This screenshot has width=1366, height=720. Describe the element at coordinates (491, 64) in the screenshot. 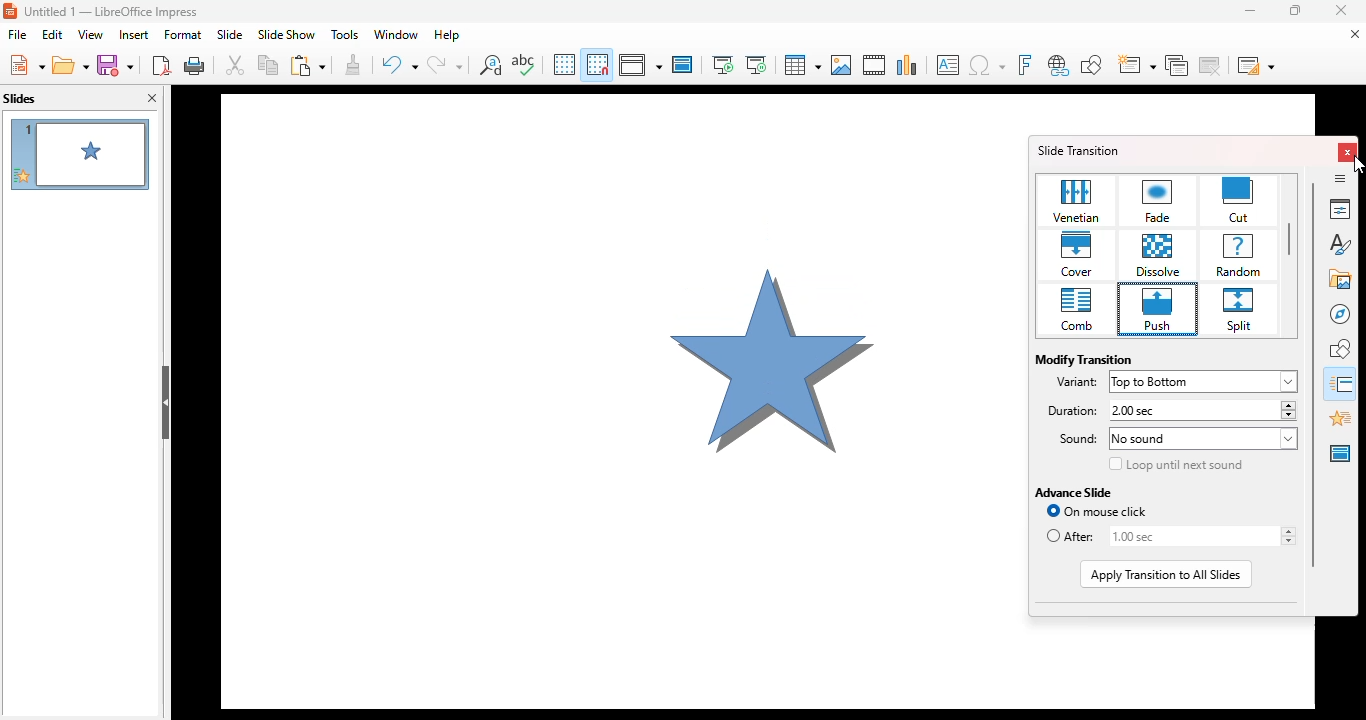

I see `find and replace` at that location.